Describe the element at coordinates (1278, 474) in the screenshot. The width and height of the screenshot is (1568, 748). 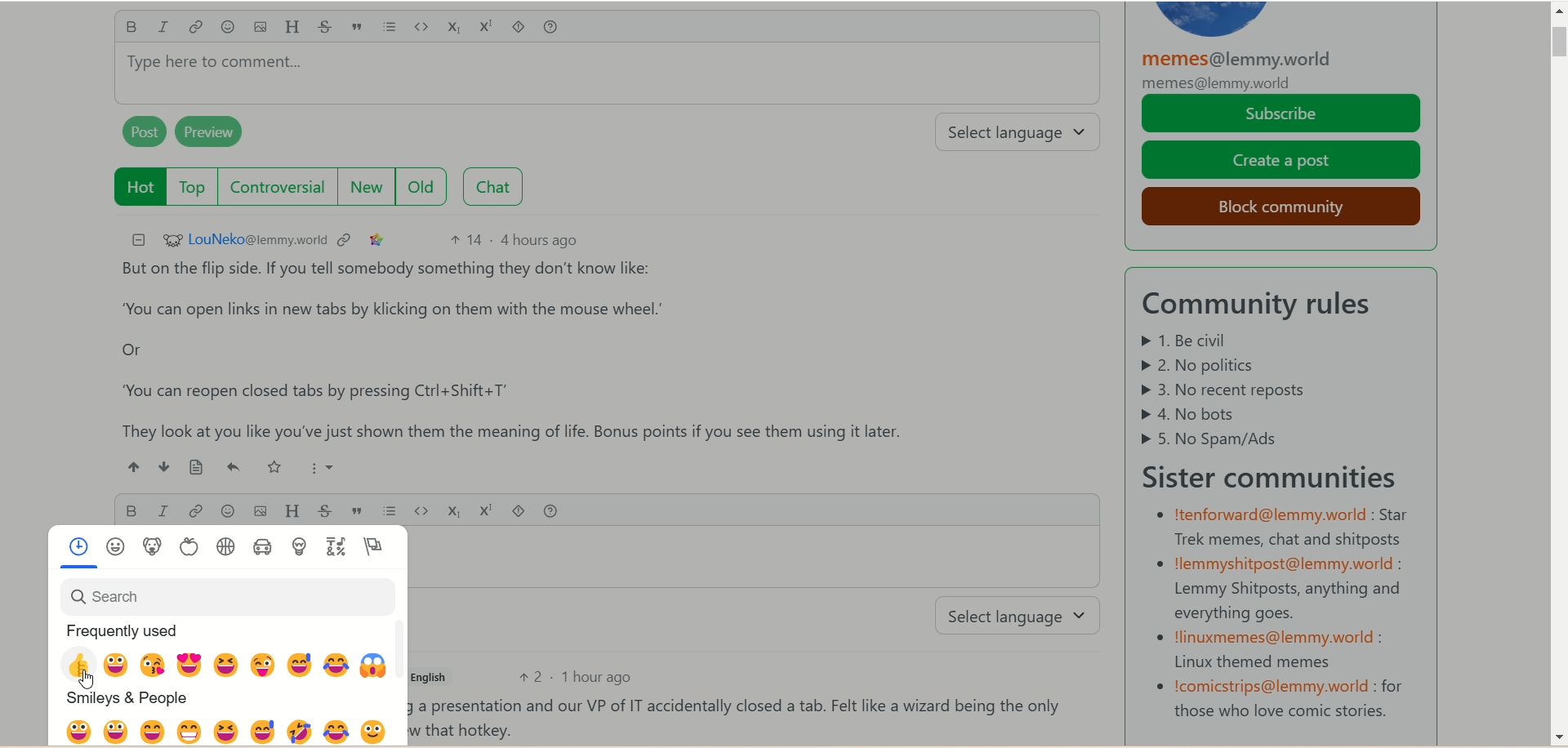
I see `sister community` at that location.